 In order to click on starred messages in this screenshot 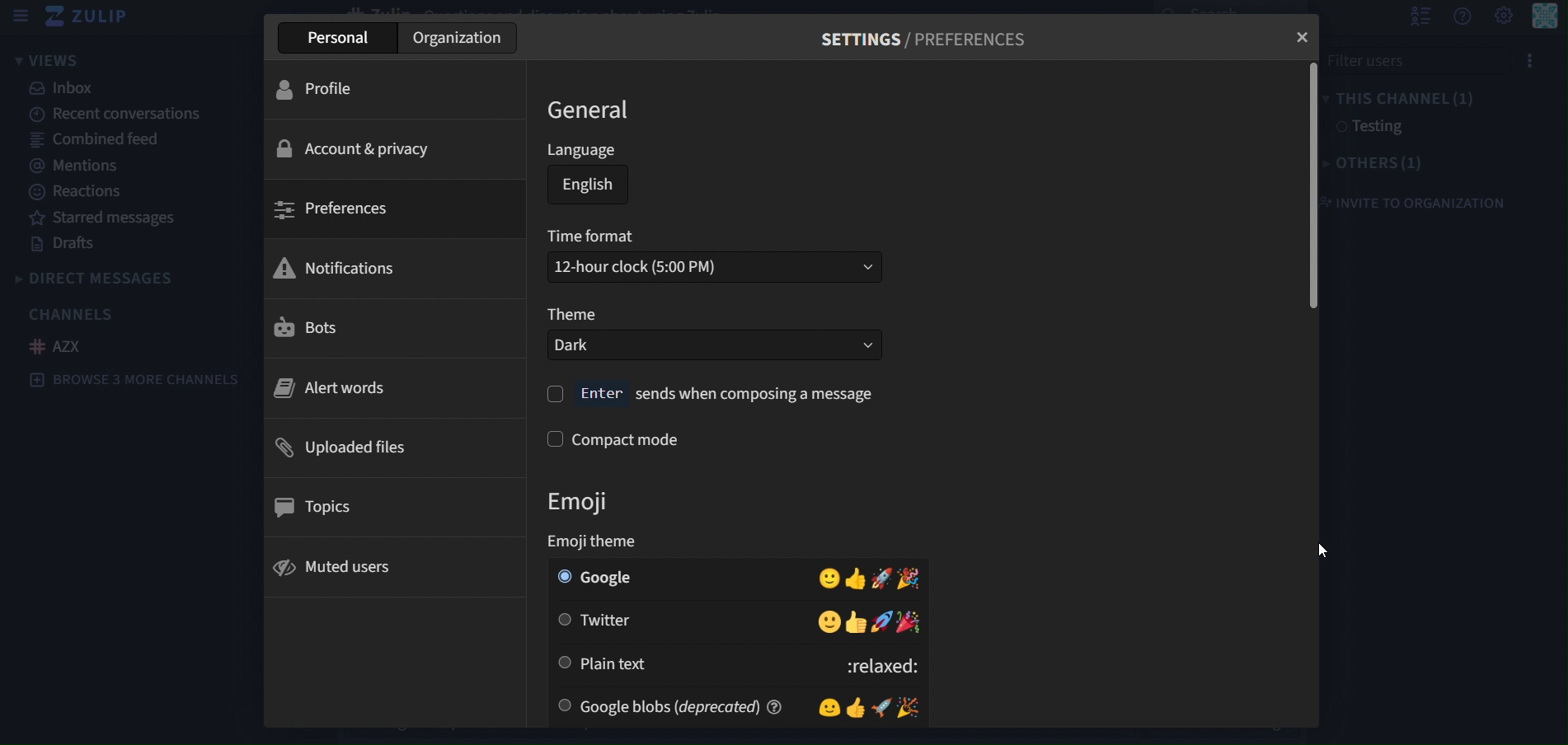, I will do `click(101, 217)`.